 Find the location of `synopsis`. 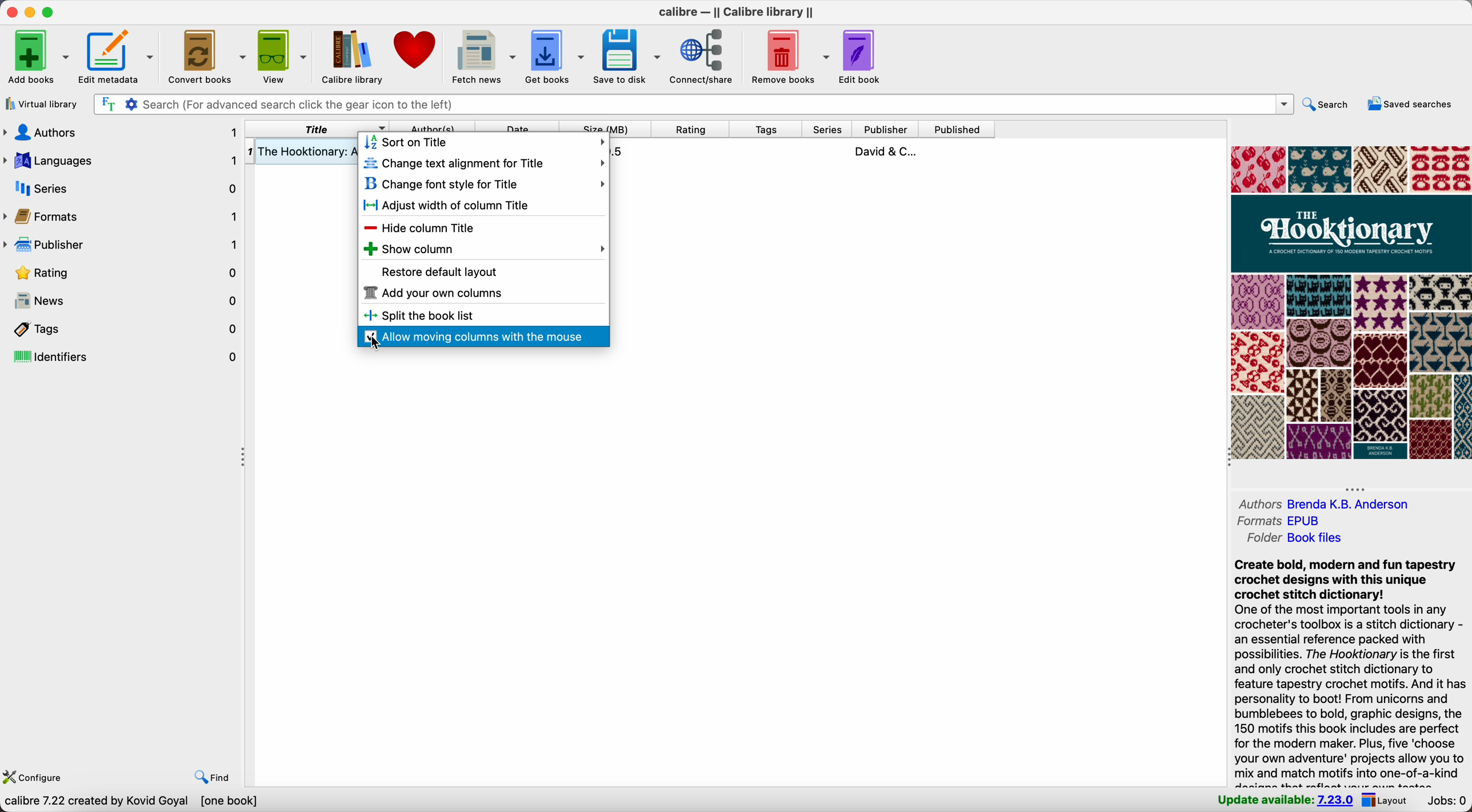

synopsis is located at coordinates (1348, 670).